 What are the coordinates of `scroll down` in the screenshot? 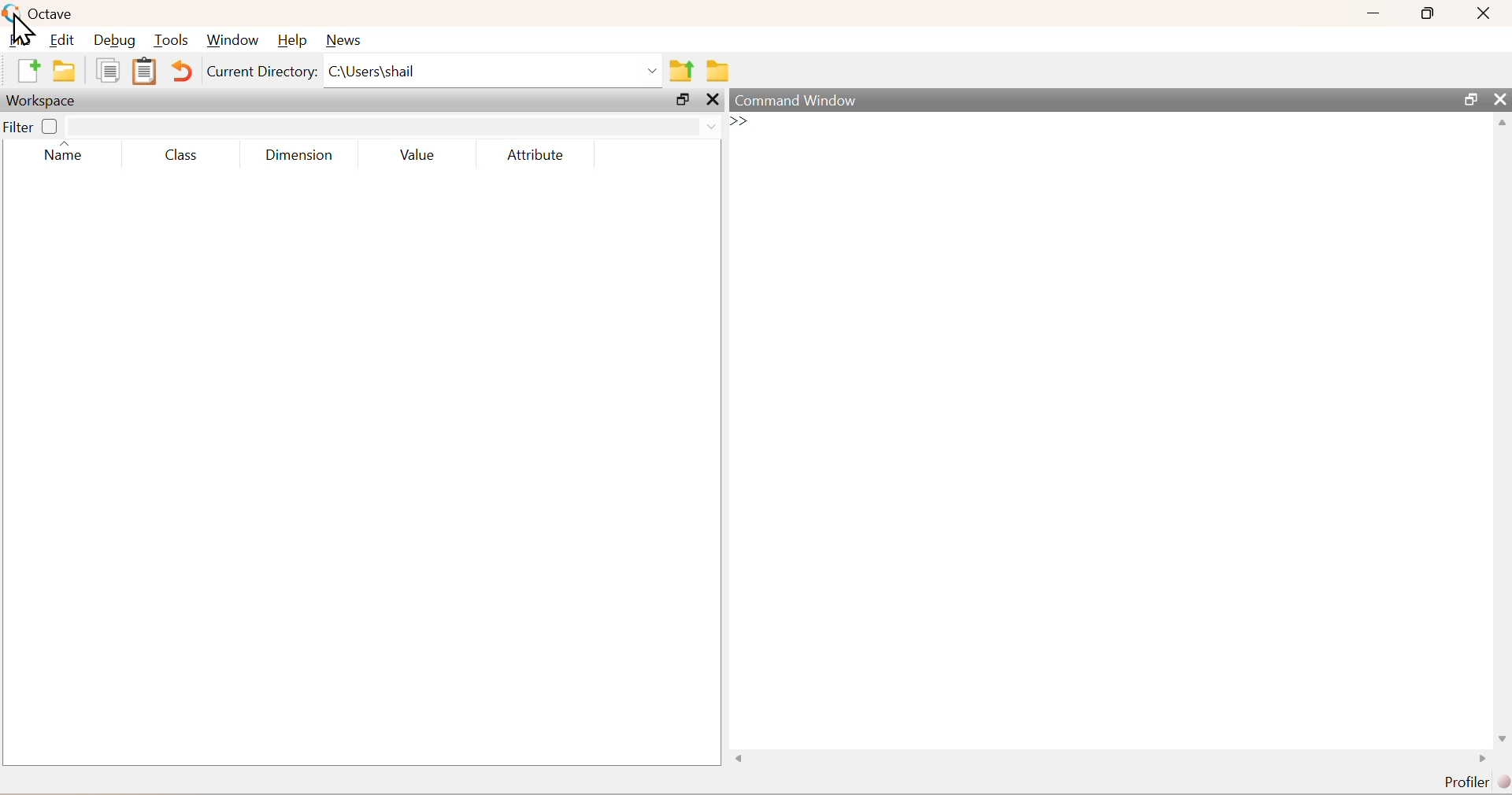 It's located at (1500, 739).